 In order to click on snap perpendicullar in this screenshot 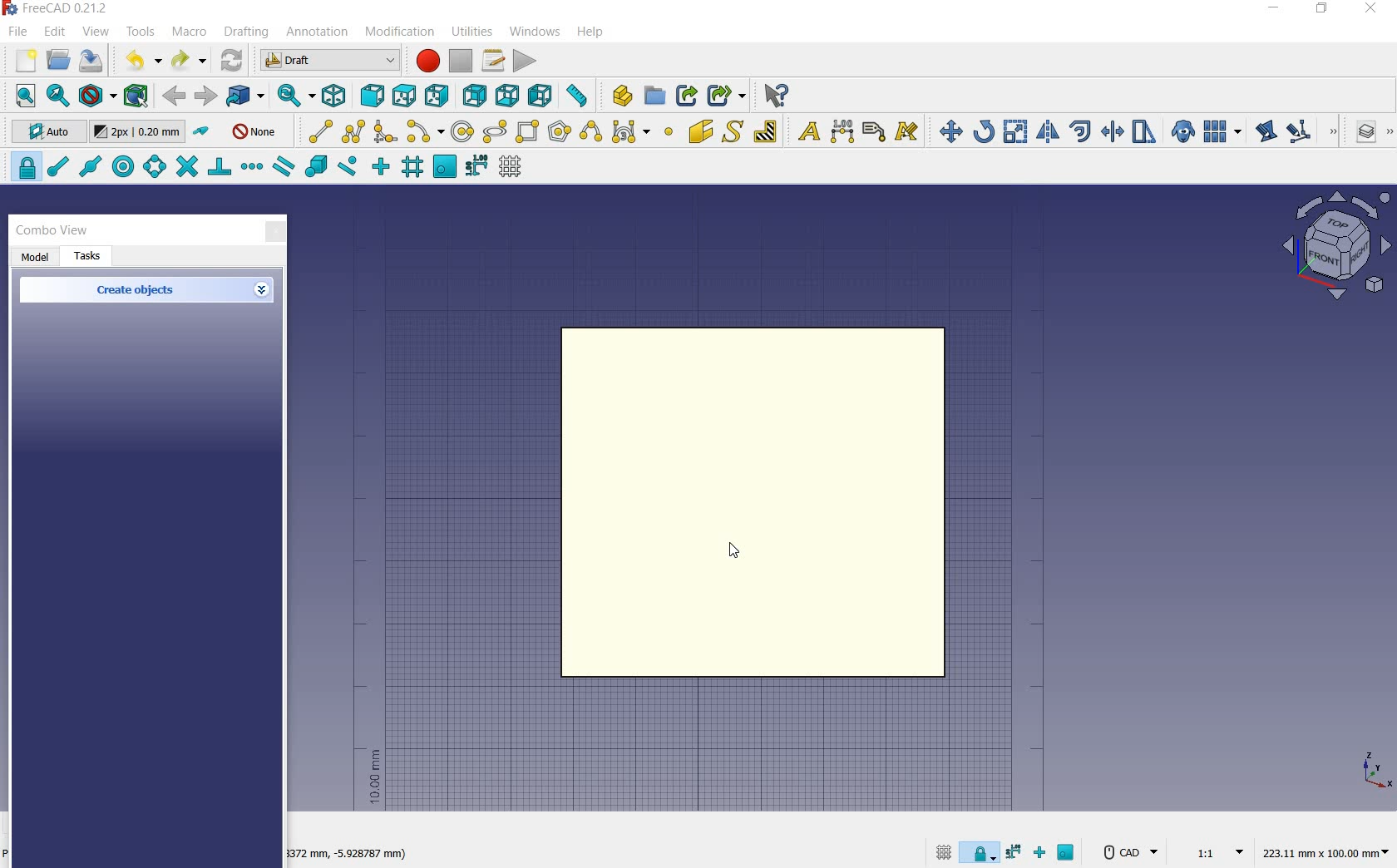, I will do `click(219, 166)`.